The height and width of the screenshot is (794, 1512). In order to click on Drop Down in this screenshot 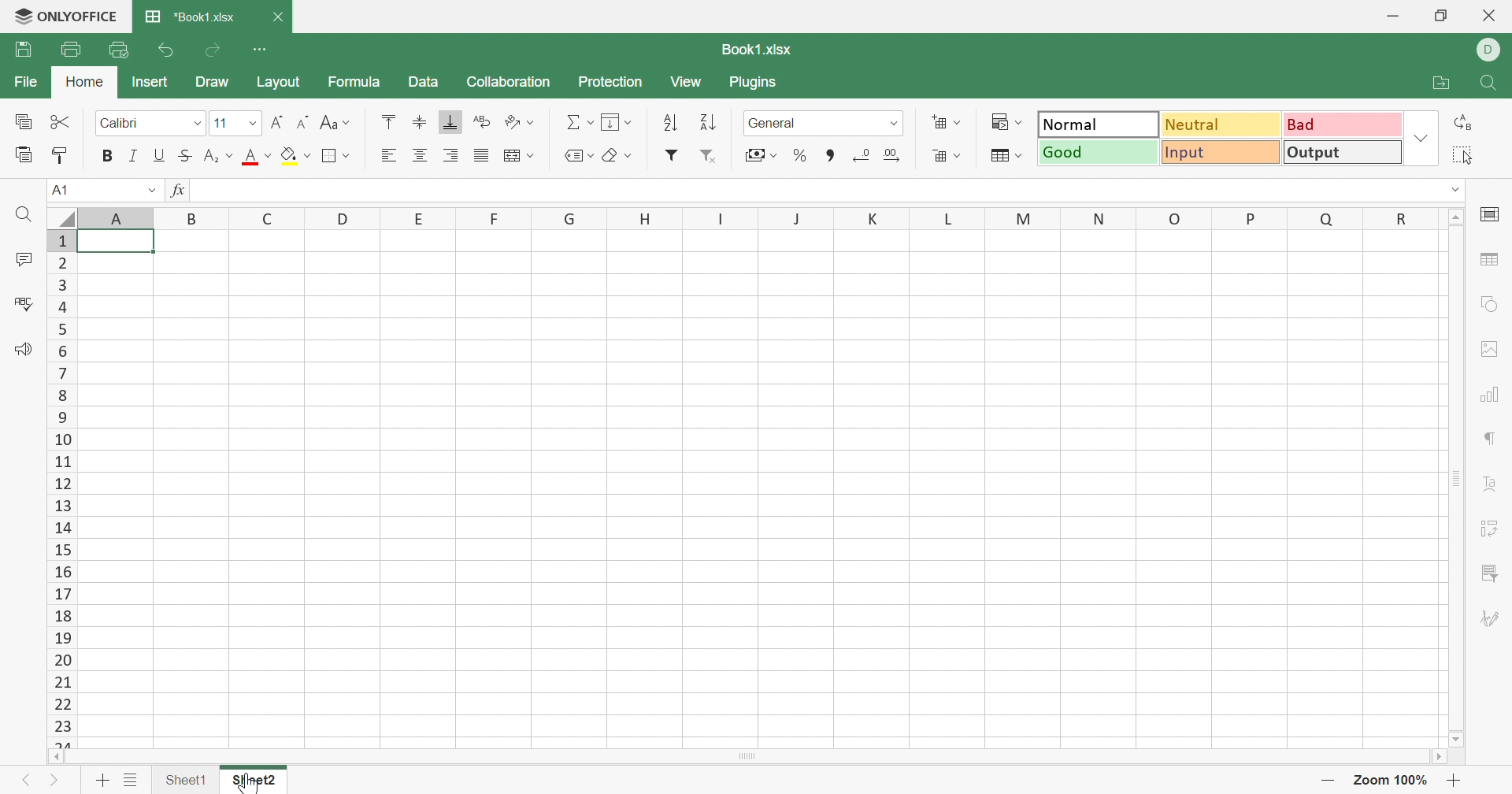, I will do `click(268, 155)`.